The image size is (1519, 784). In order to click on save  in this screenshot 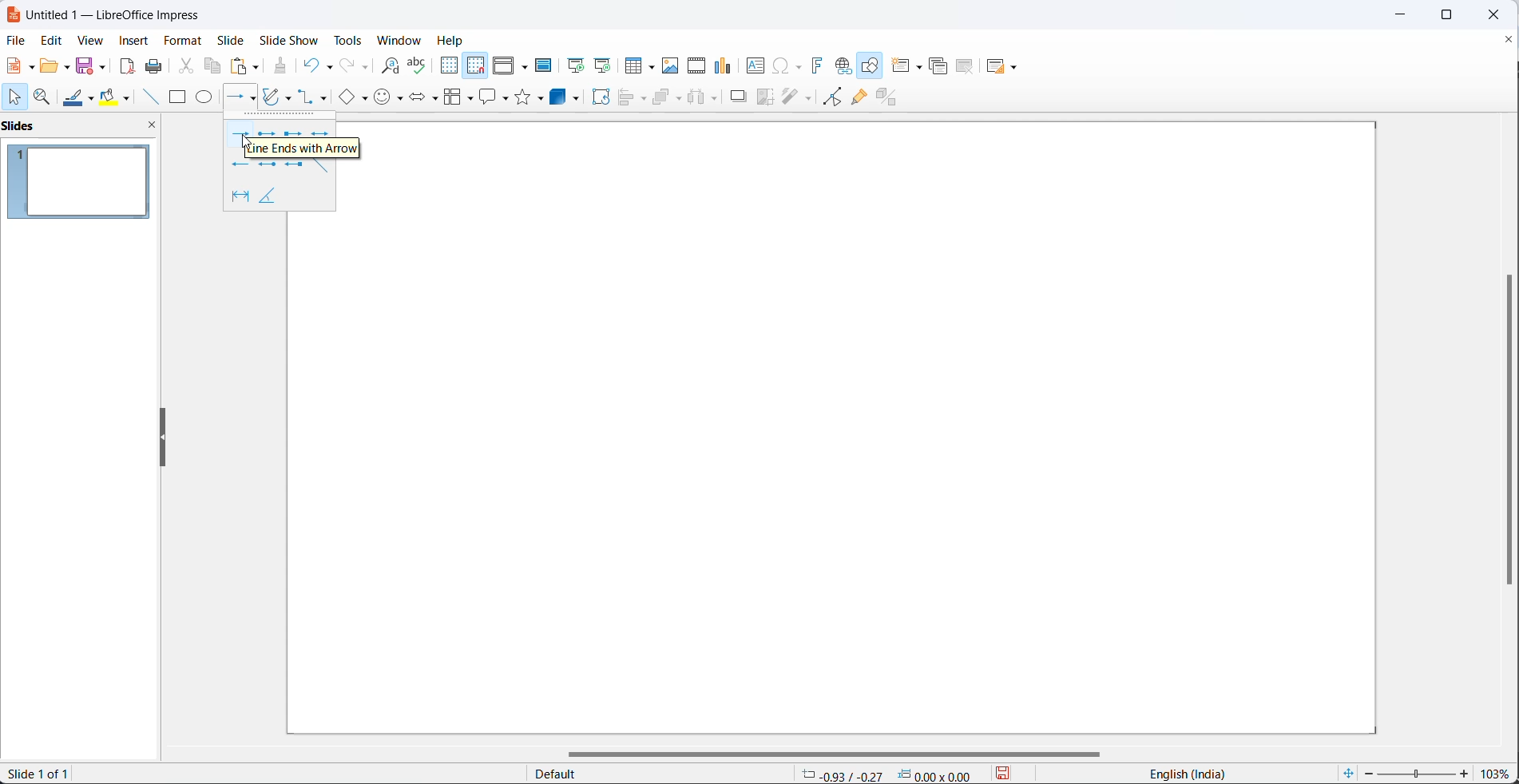, I will do `click(88, 65)`.